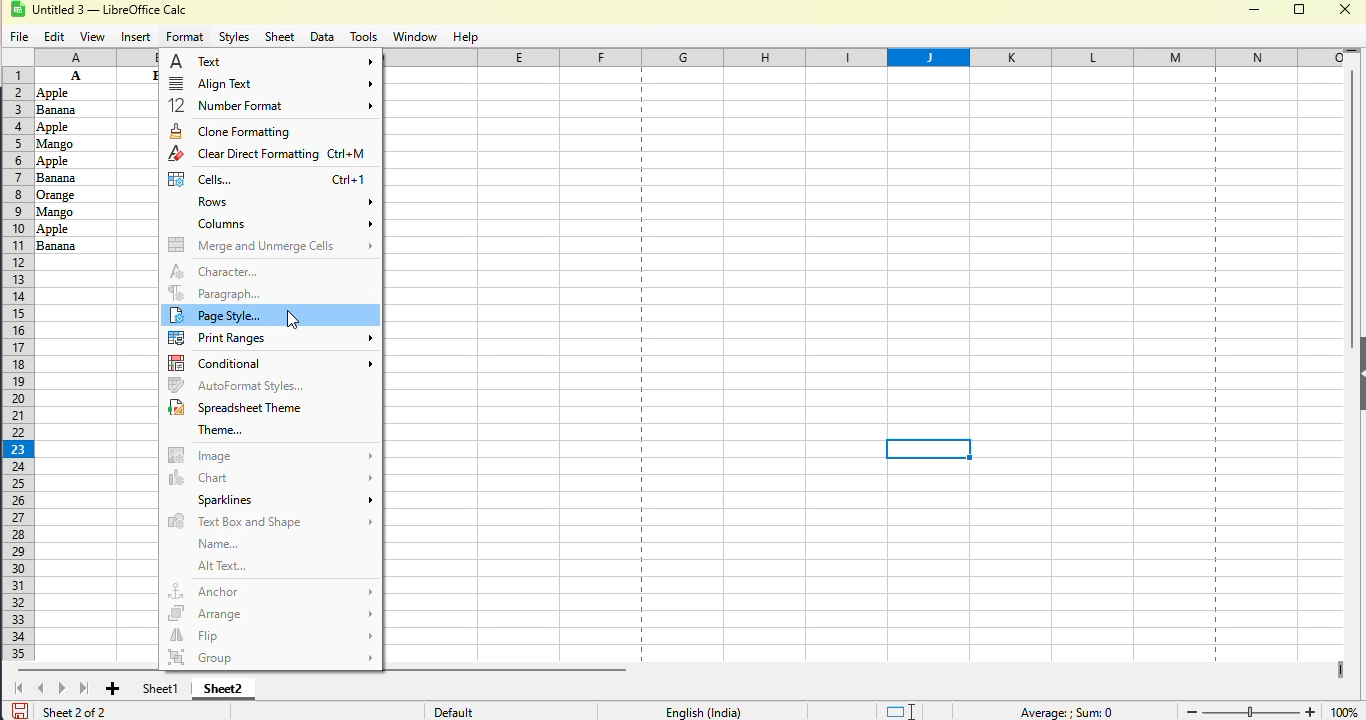  Describe the element at coordinates (15, 364) in the screenshot. I see `rows` at that location.